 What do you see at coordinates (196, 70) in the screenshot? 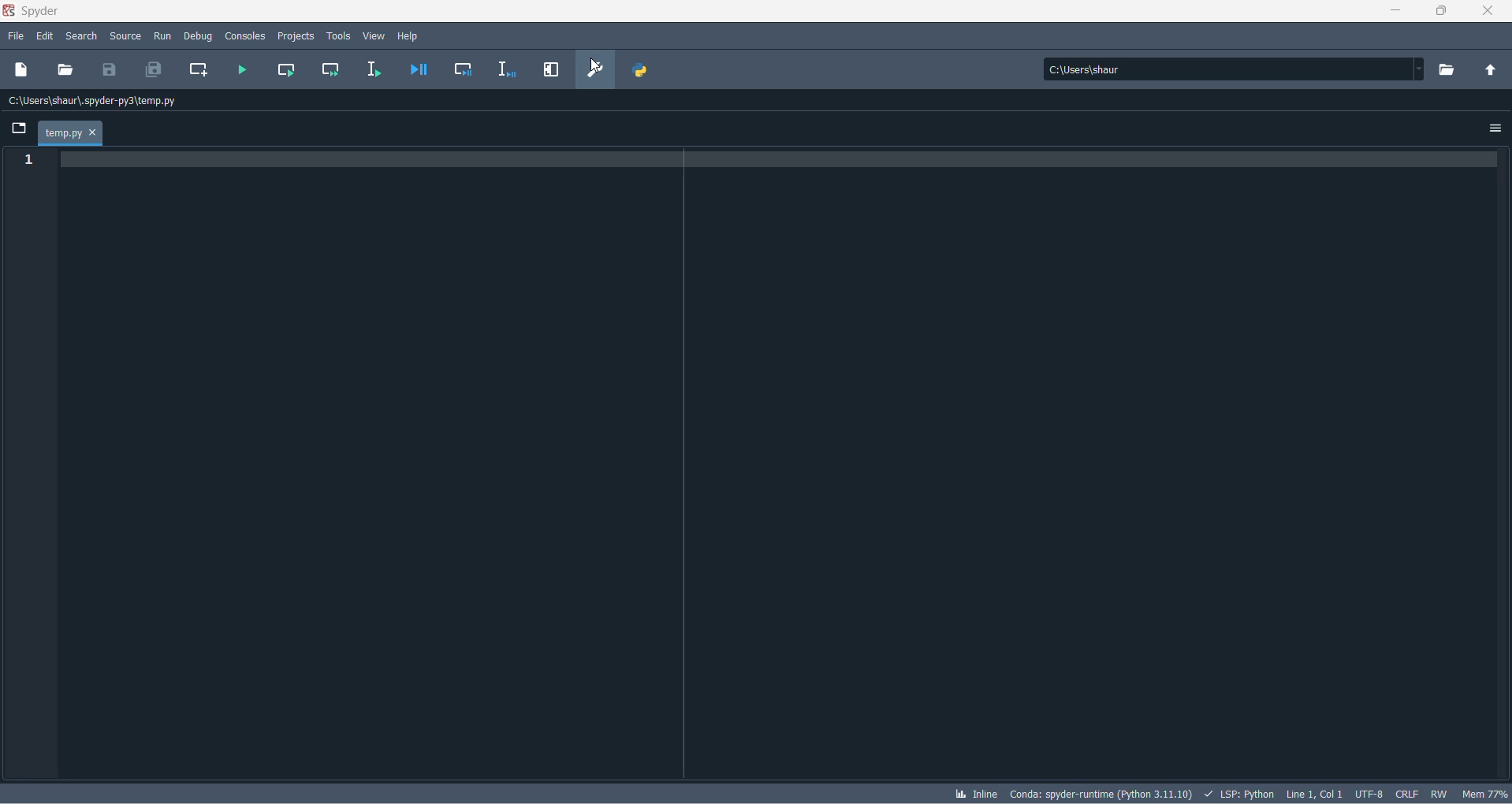
I see `create new cell` at bounding box center [196, 70].